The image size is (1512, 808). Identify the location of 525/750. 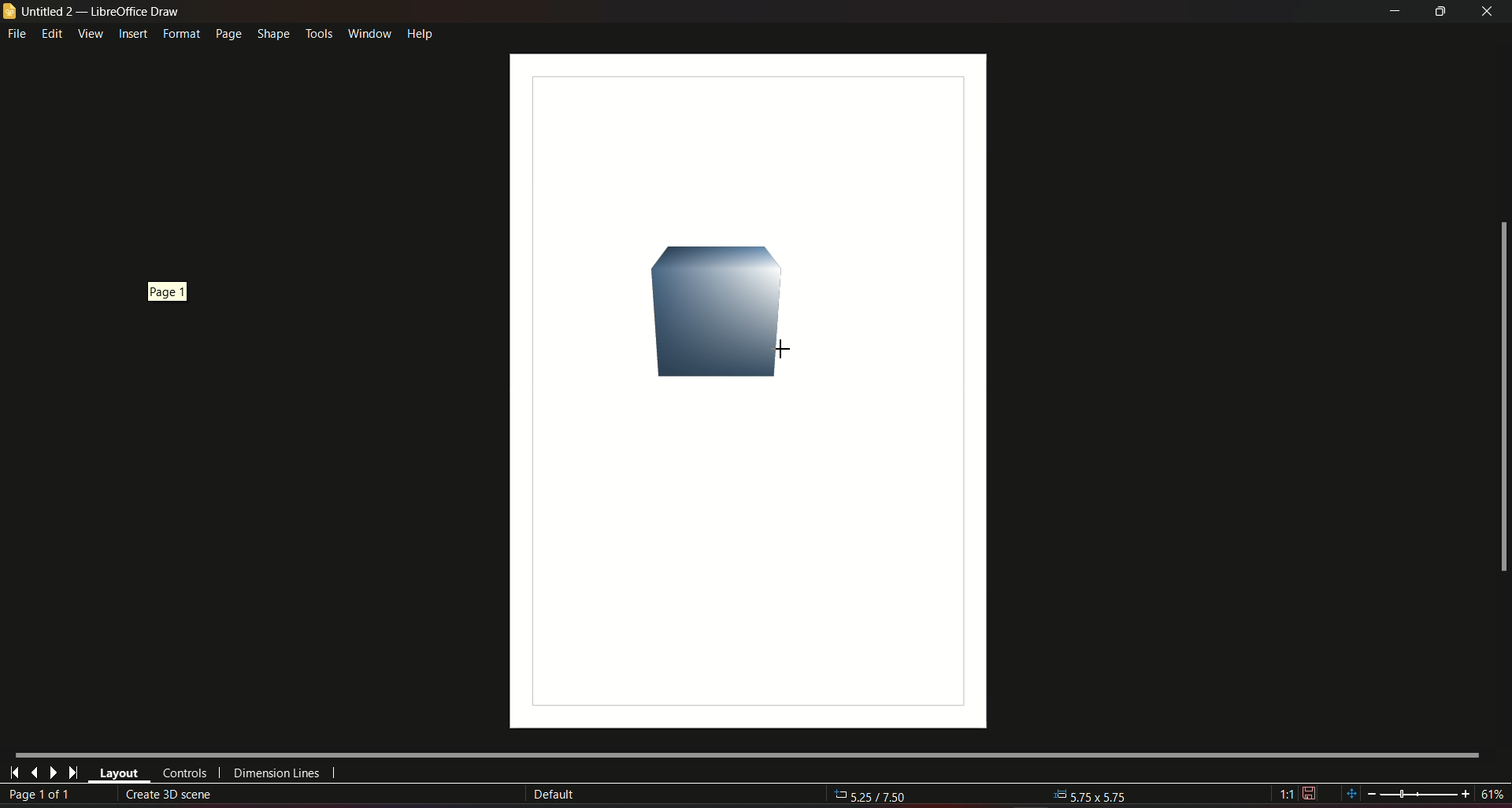
(880, 797).